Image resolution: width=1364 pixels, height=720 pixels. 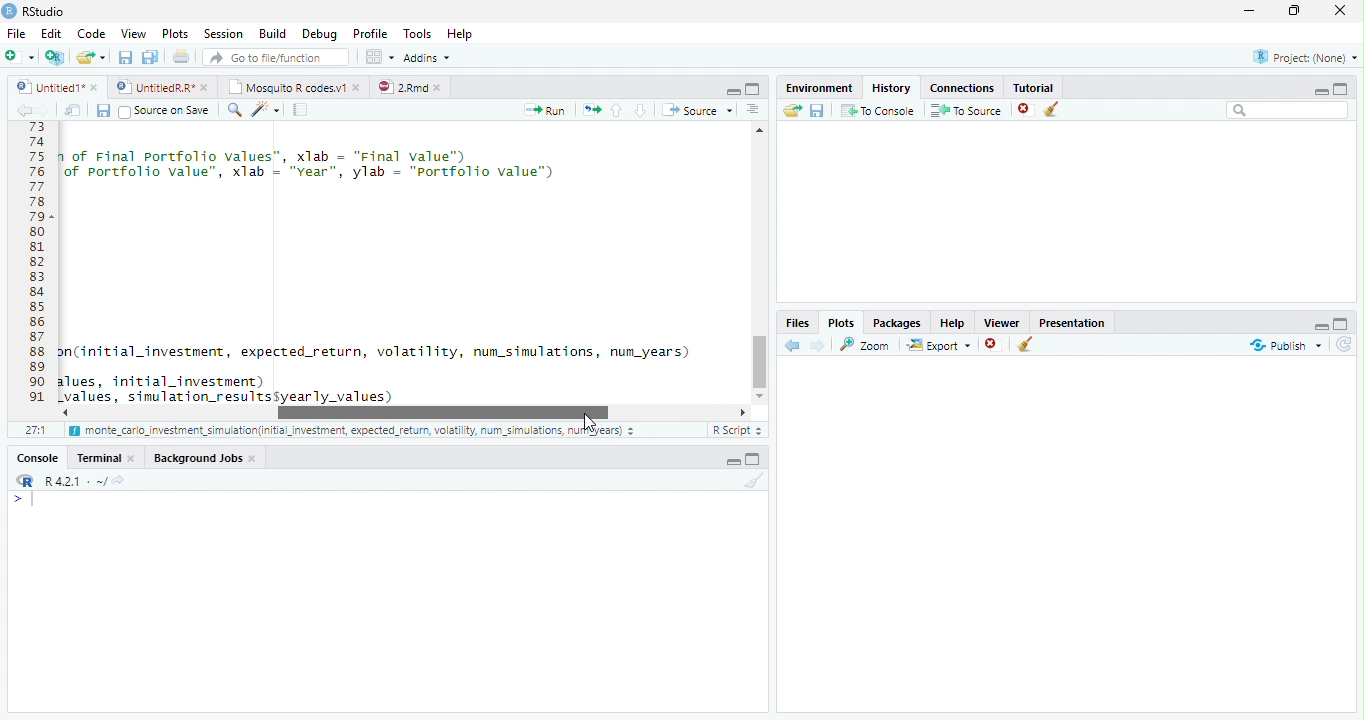 What do you see at coordinates (798, 322) in the screenshot?
I see `Files` at bounding box center [798, 322].